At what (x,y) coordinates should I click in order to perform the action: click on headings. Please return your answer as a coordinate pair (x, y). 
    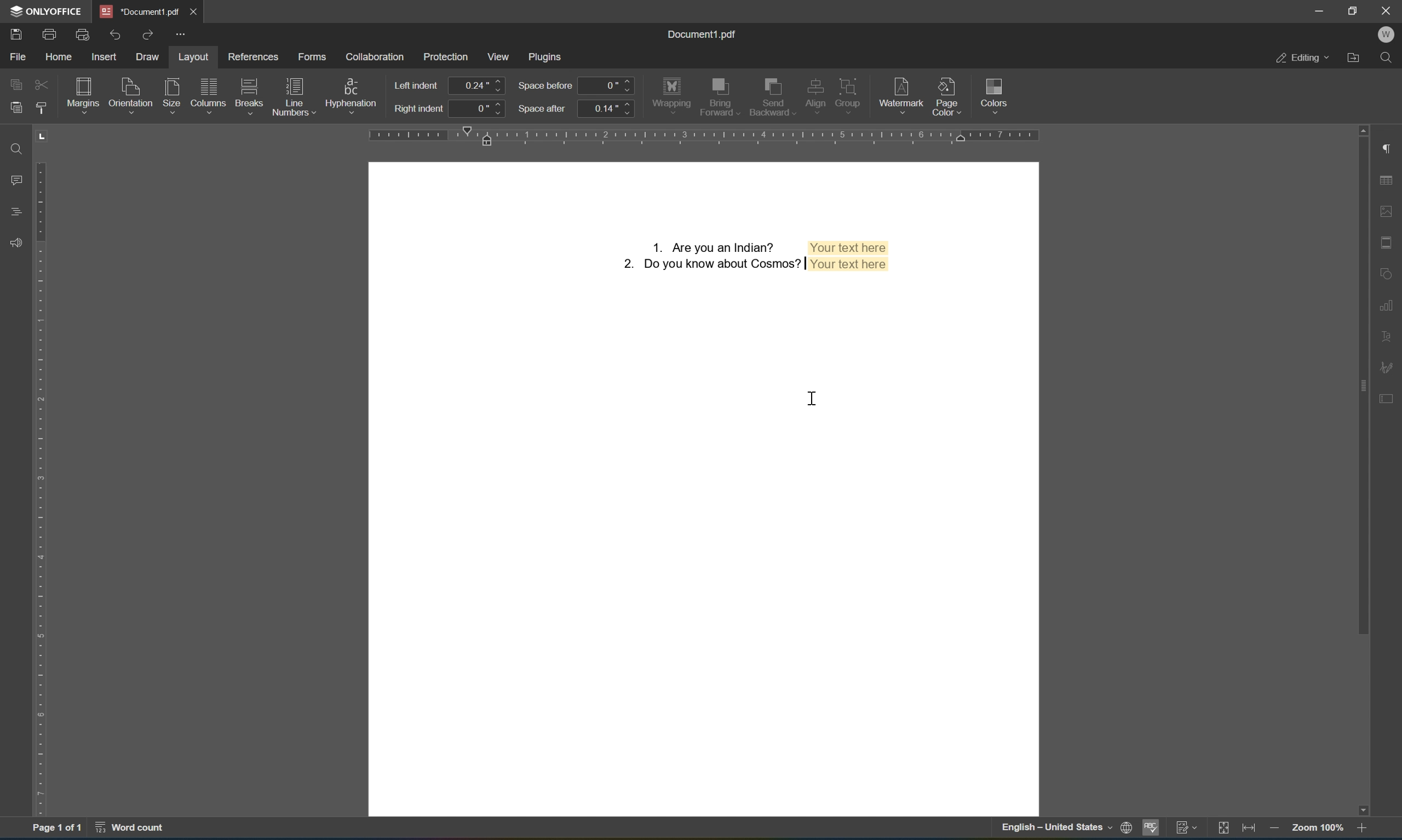
    Looking at the image, I should click on (14, 211).